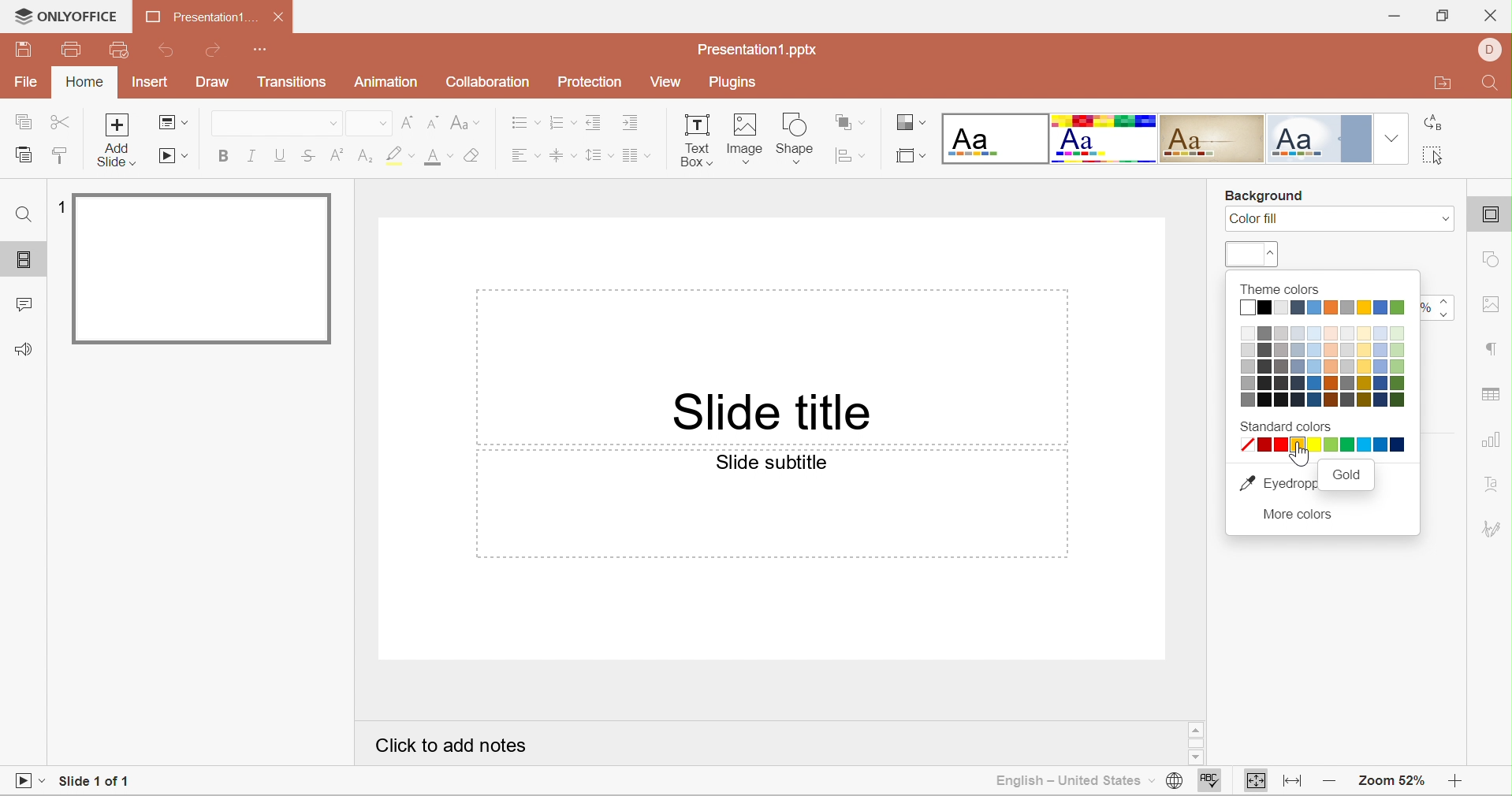  Describe the element at coordinates (850, 154) in the screenshot. I see `Align shape` at that location.